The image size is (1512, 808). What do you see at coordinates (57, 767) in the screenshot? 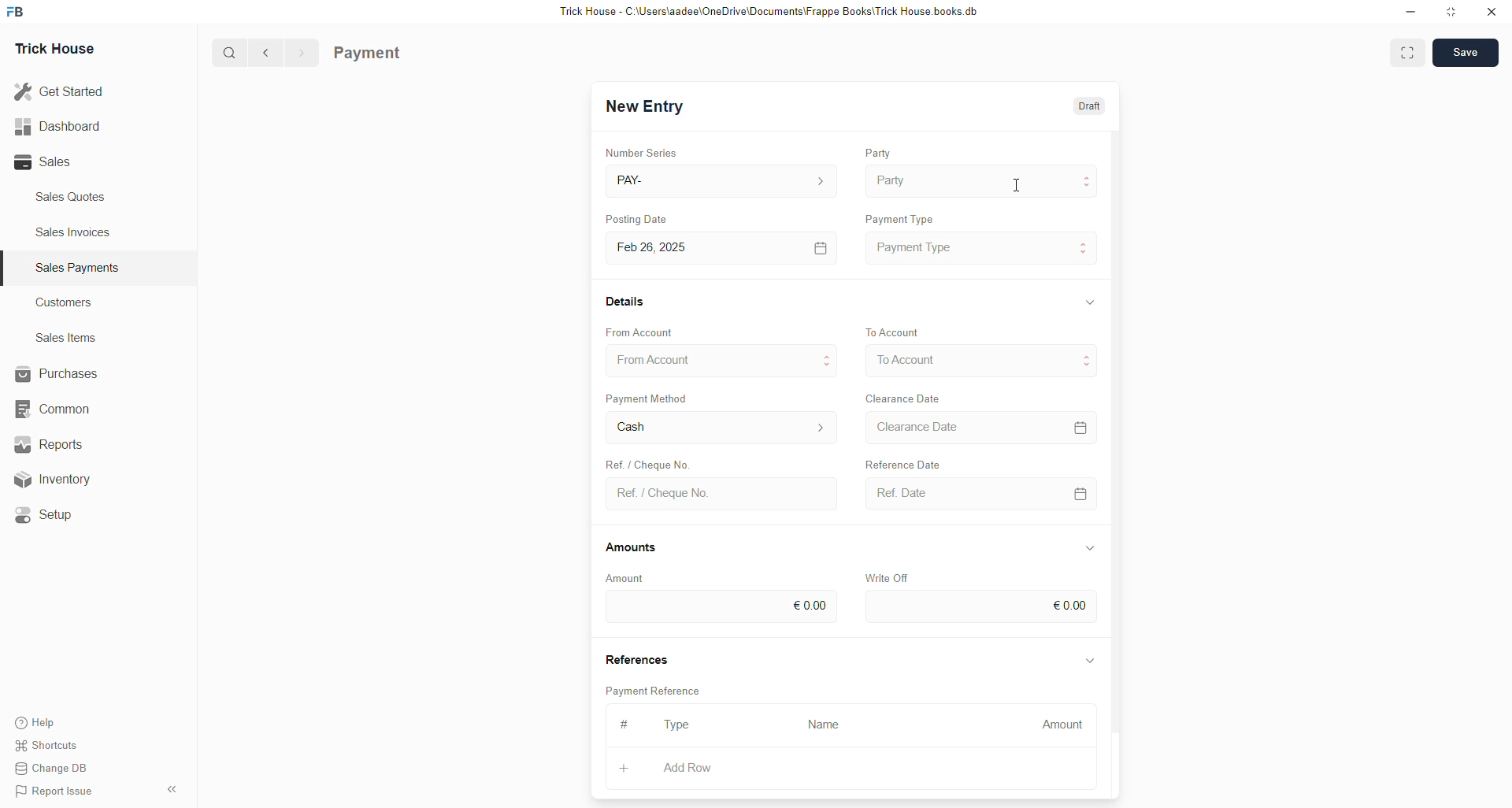
I see `Change DB` at bounding box center [57, 767].